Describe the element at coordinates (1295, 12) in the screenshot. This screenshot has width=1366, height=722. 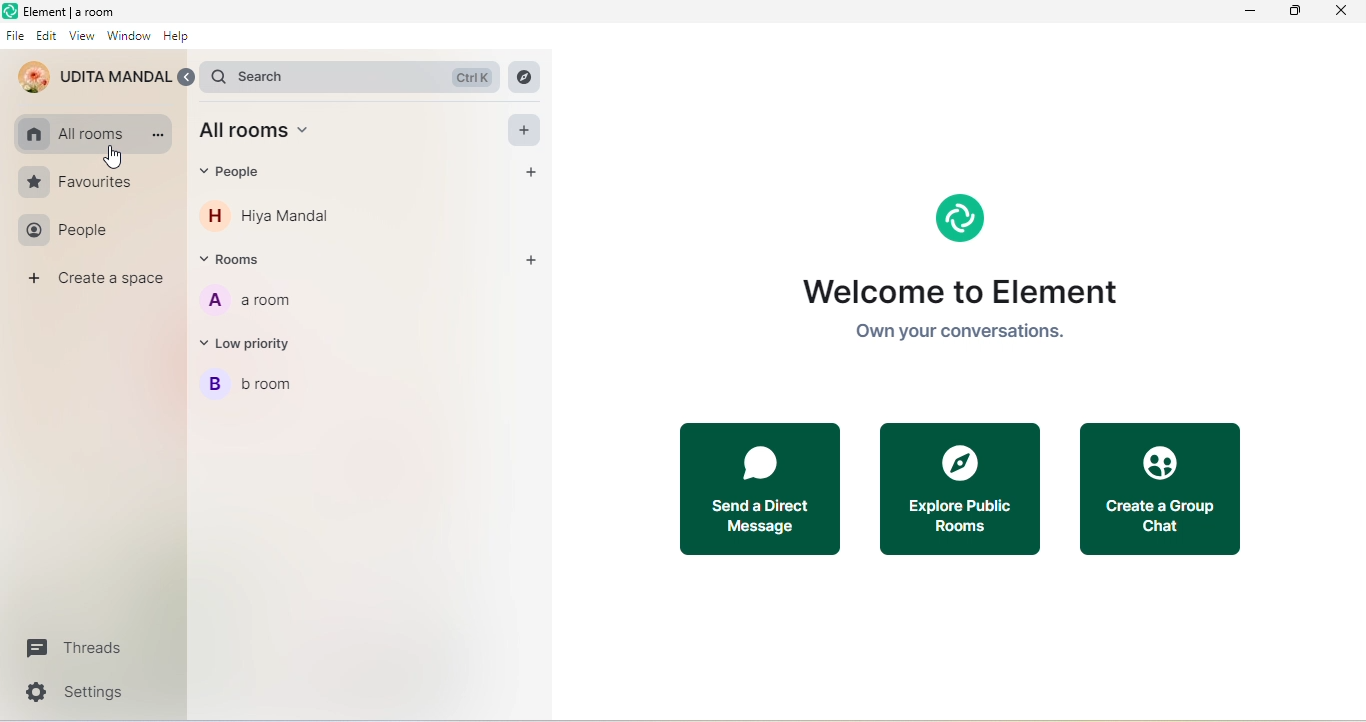
I see `Maximize` at that location.